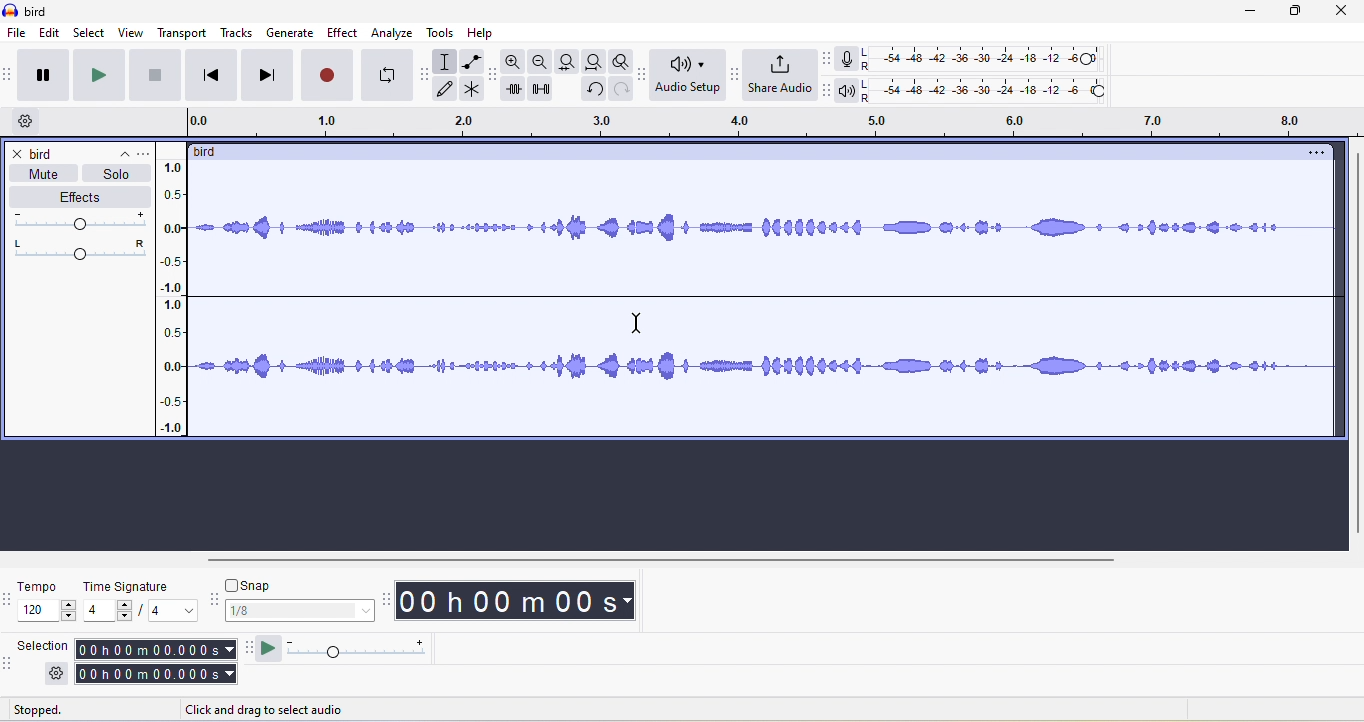 The width and height of the screenshot is (1364, 722). What do you see at coordinates (157, 80) in the screenshot?
I see `stop` at bounding box center [157, 80].